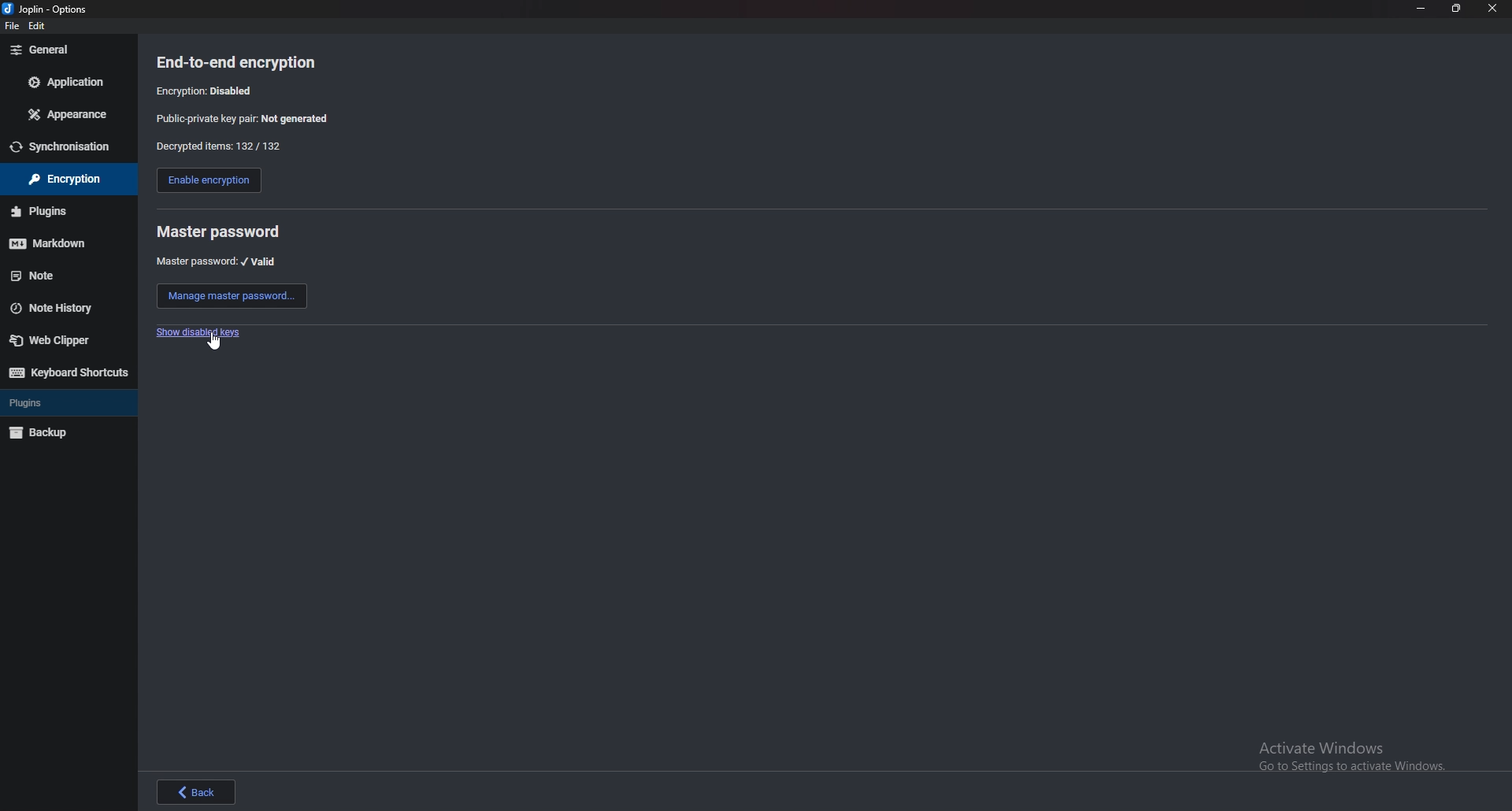  Describe the element at coordinates (208, 91) in the screenshot. I see `encryption` at that location.